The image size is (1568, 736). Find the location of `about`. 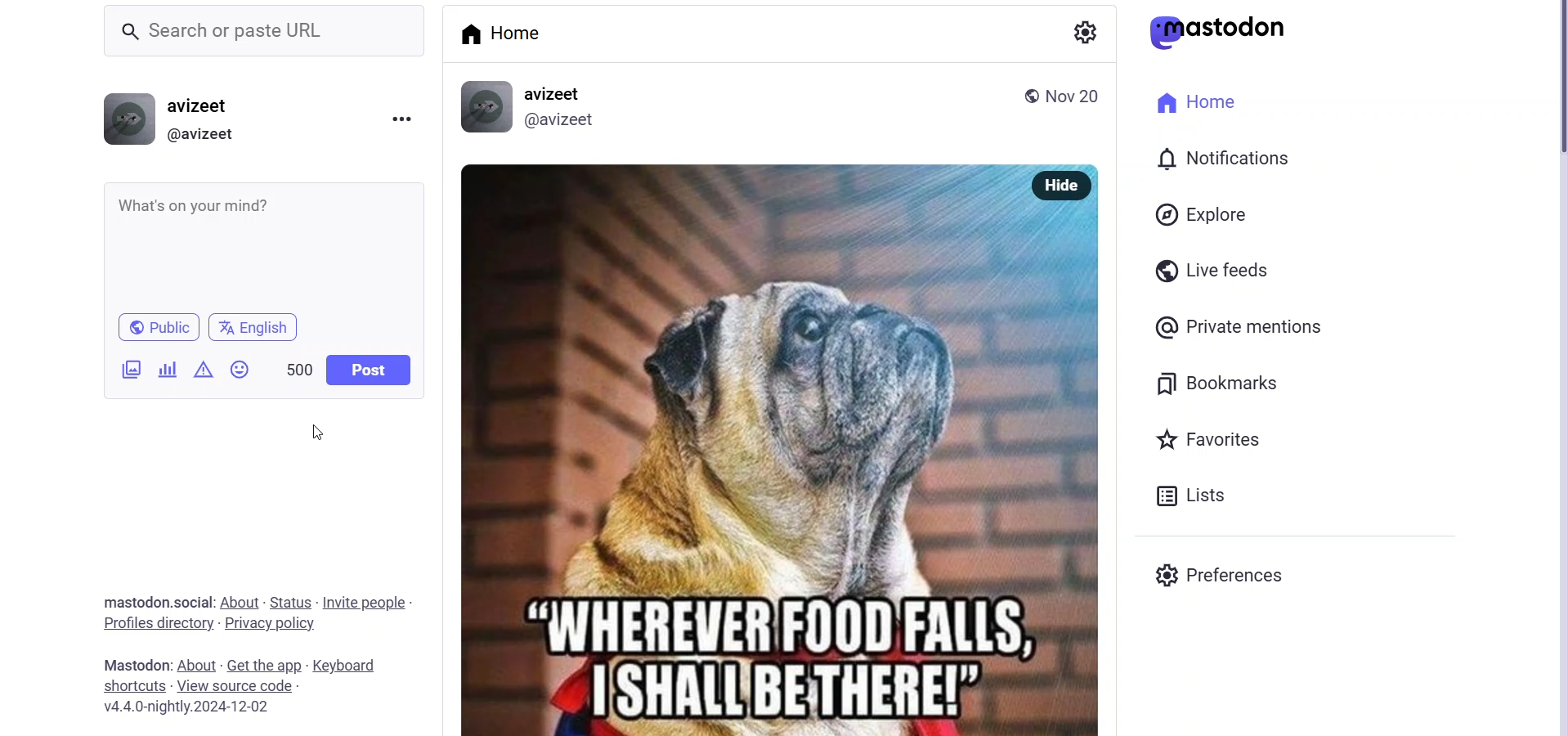

about is located at coordinates (197, 664).